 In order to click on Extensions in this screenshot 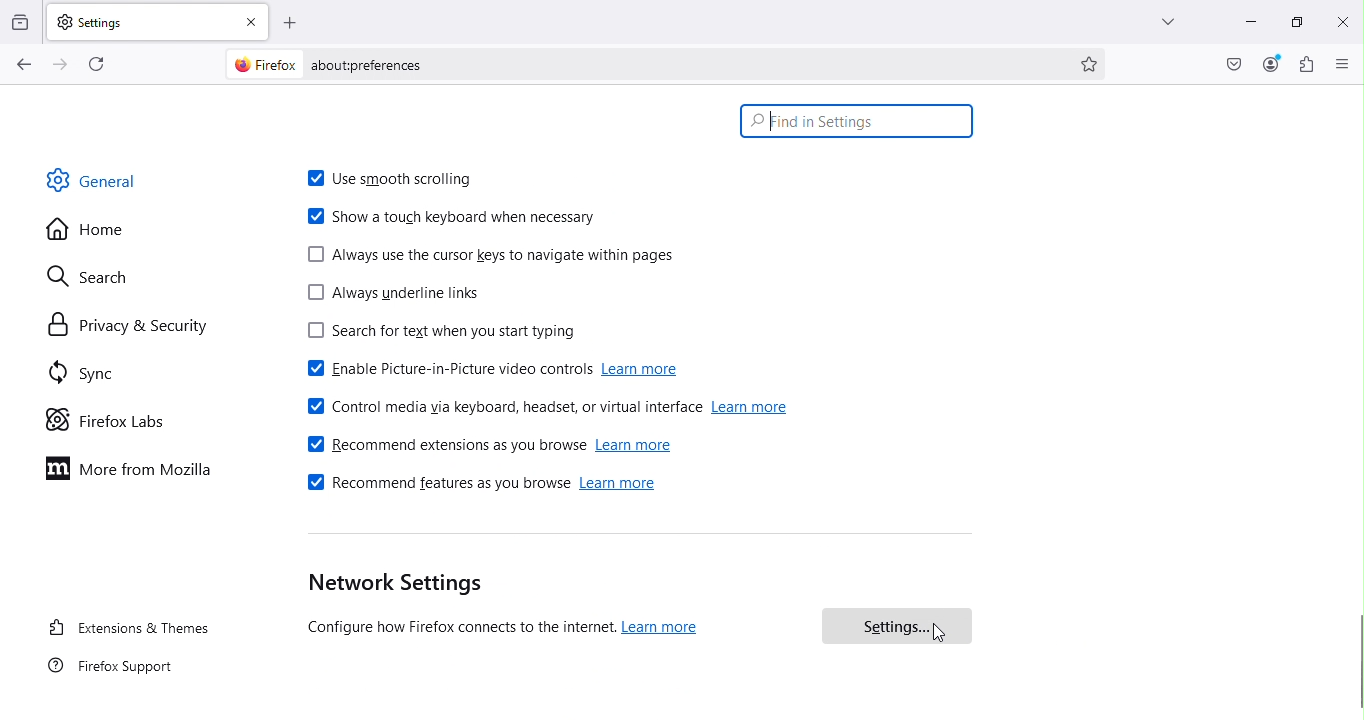, I will do `click(1307, 64)`.